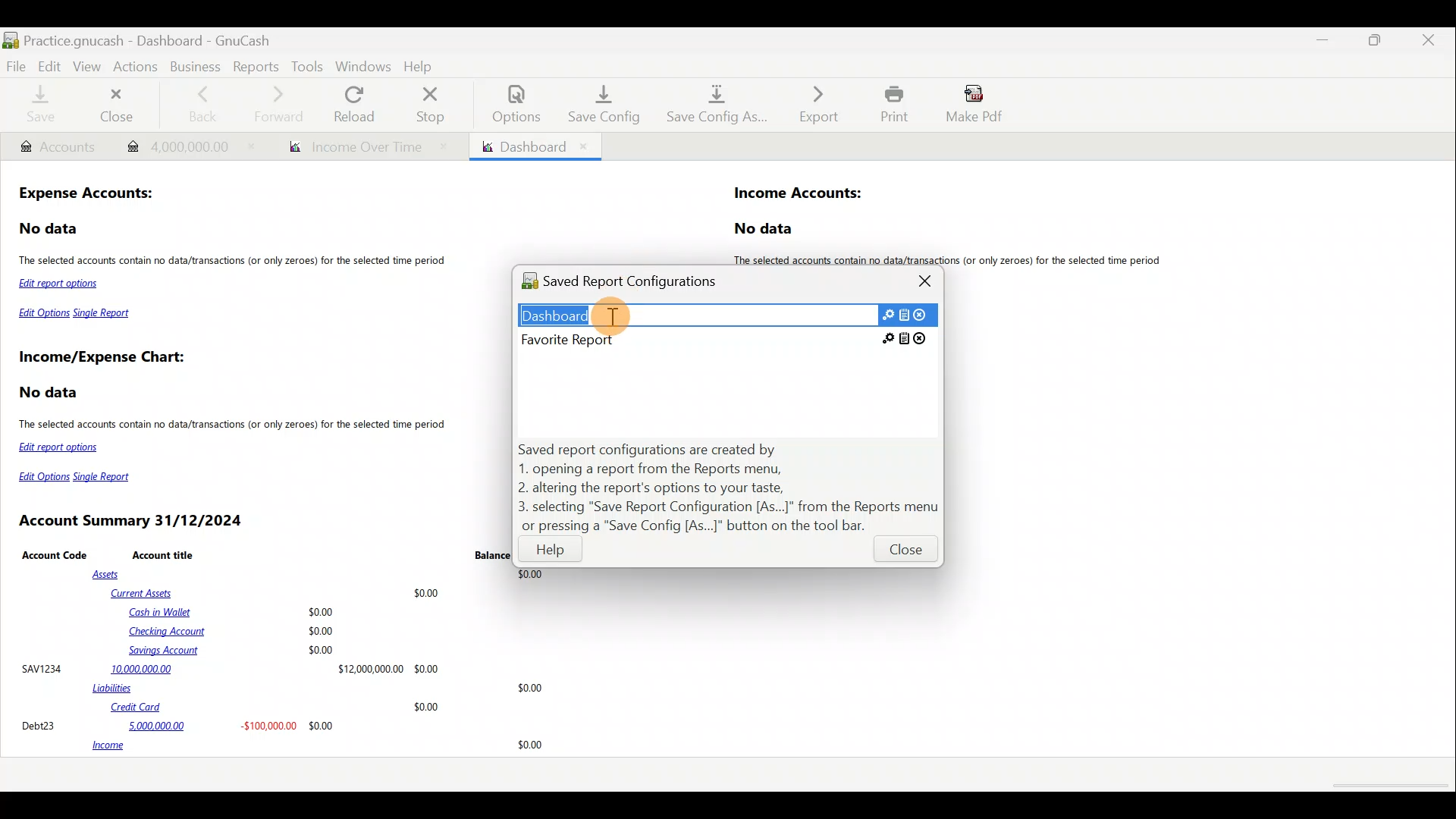 This screenshot has height=819, width=1456. Describe the element at coordinates (276, 708) in the screenshot. I see `Credit Card $0.00` at that location.